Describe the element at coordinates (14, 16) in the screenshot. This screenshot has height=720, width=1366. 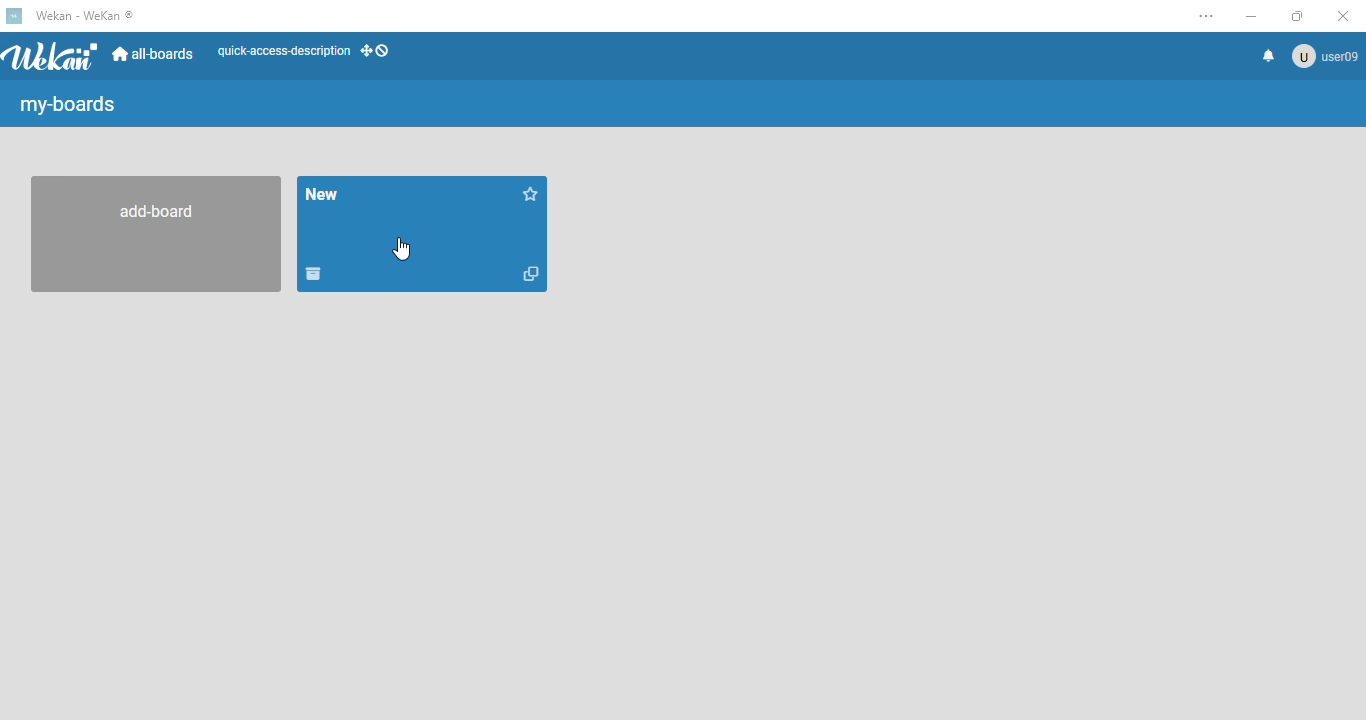
I see `logo` at that location.